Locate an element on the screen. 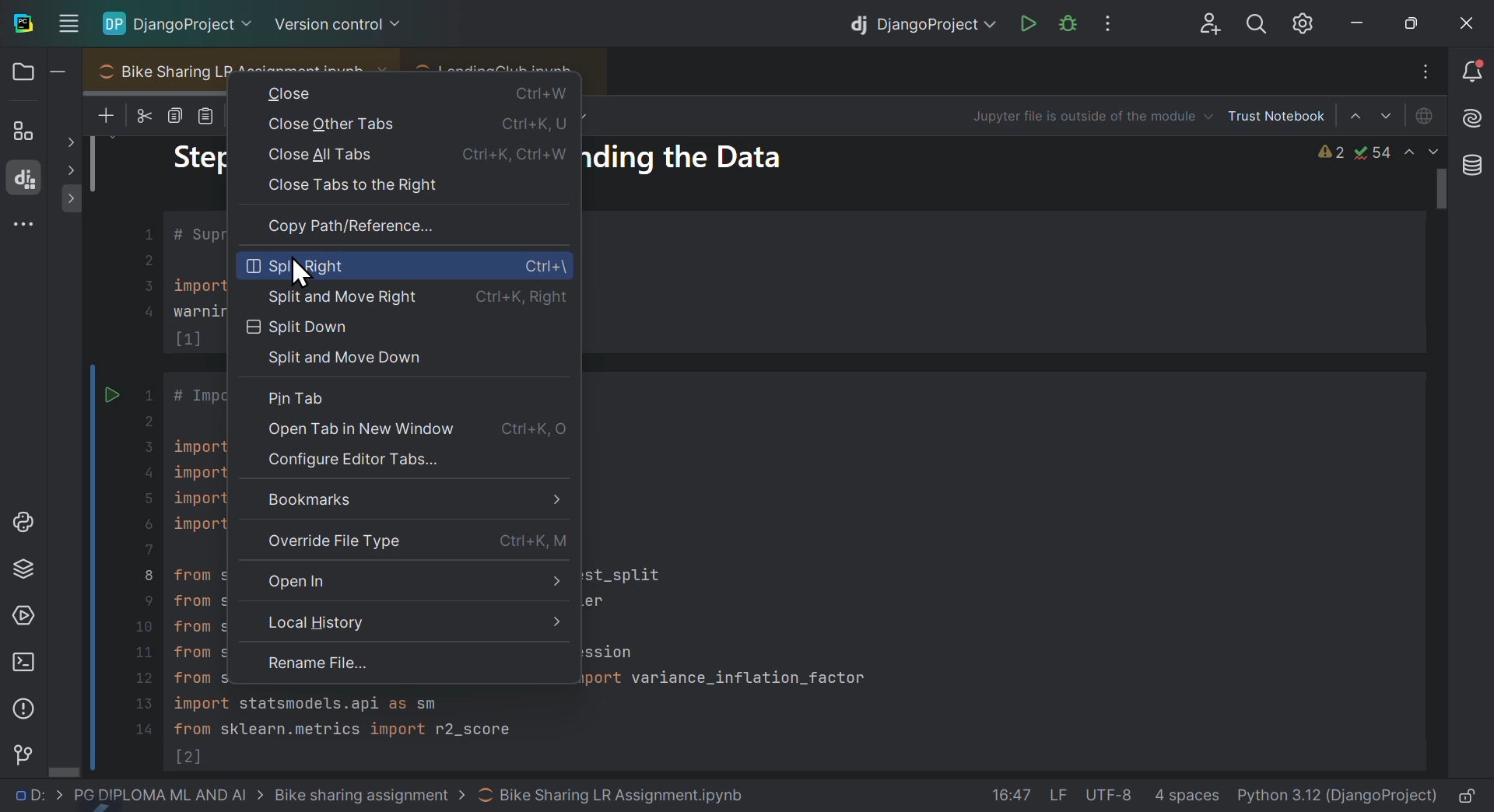 The height and width of the screenshot is (812, 1494). Open in is located at coordinates (414, 583).